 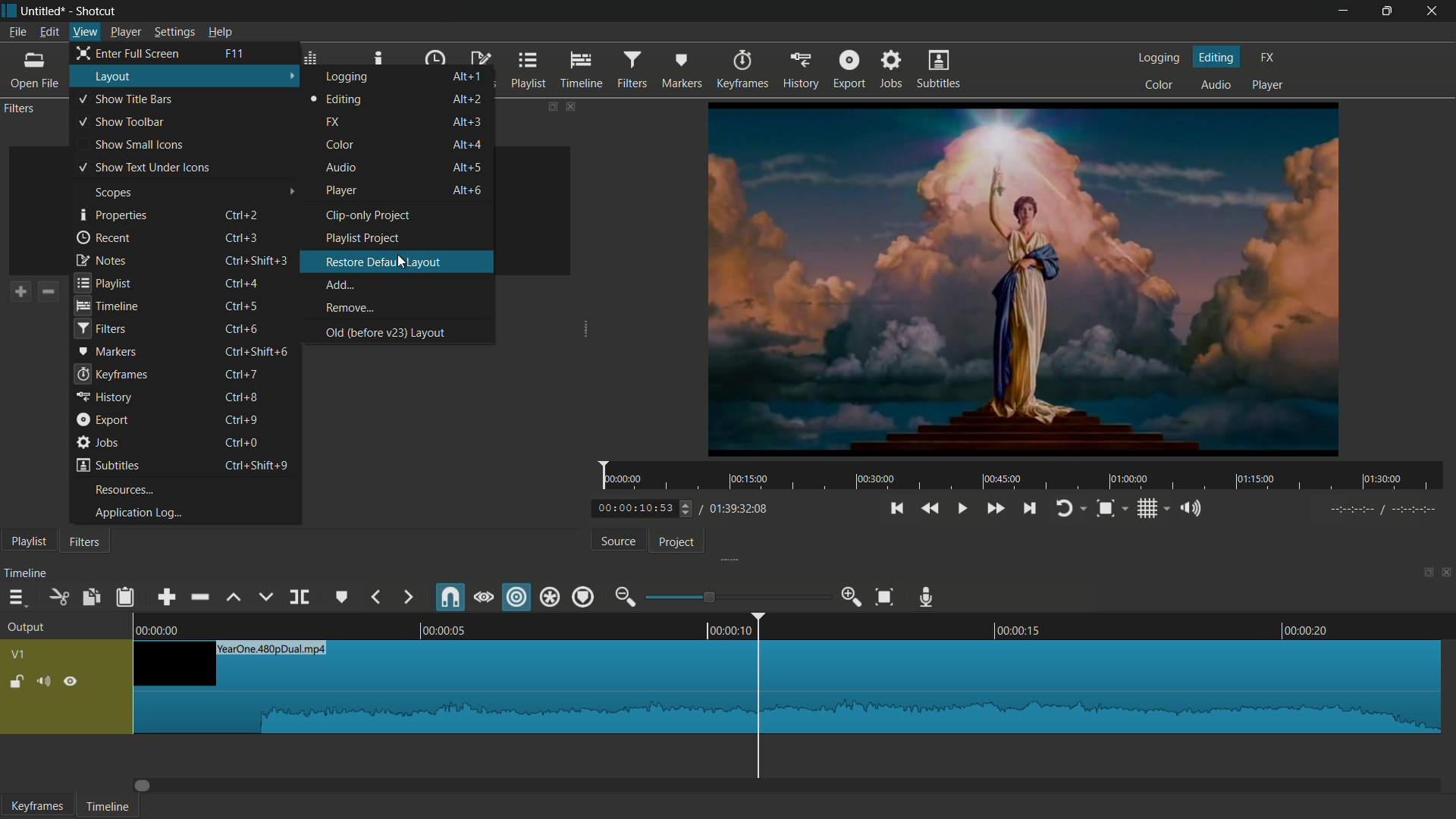 I want to click on close timeline, so click(x=1447, y=572).